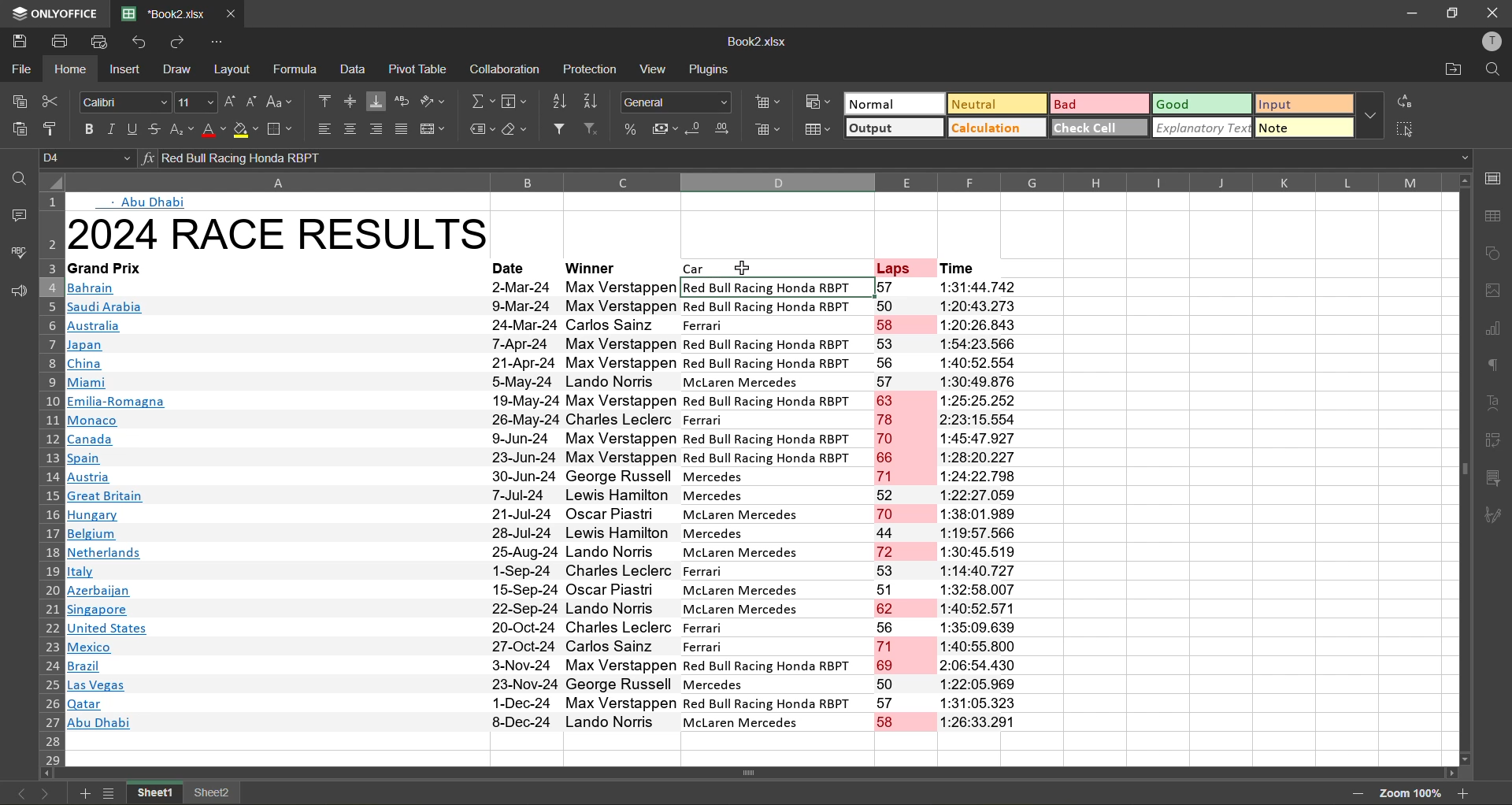  I want to click on calculation, so click(991, 130).